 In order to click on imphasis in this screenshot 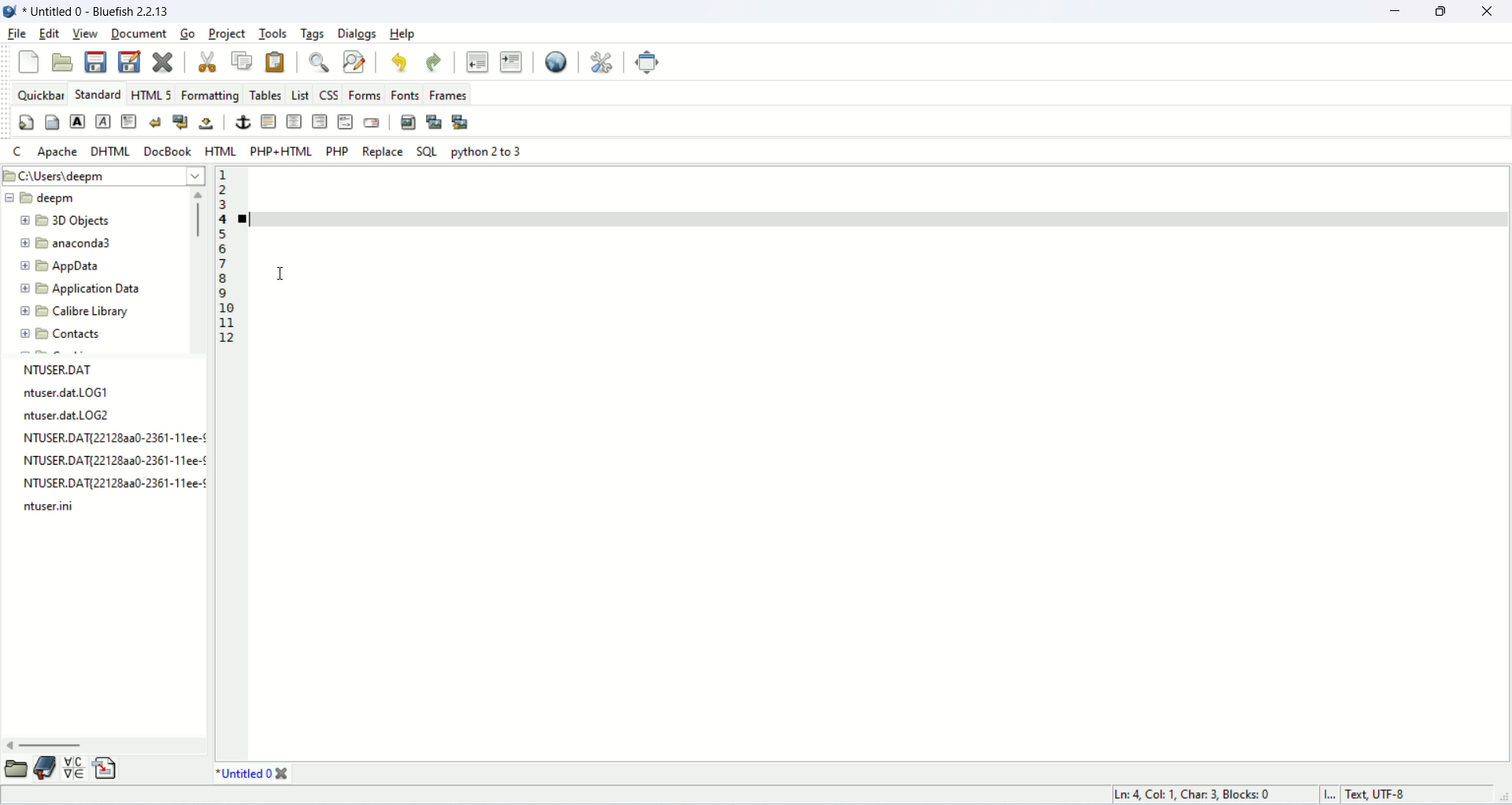, I will do `click(103, 121)`.